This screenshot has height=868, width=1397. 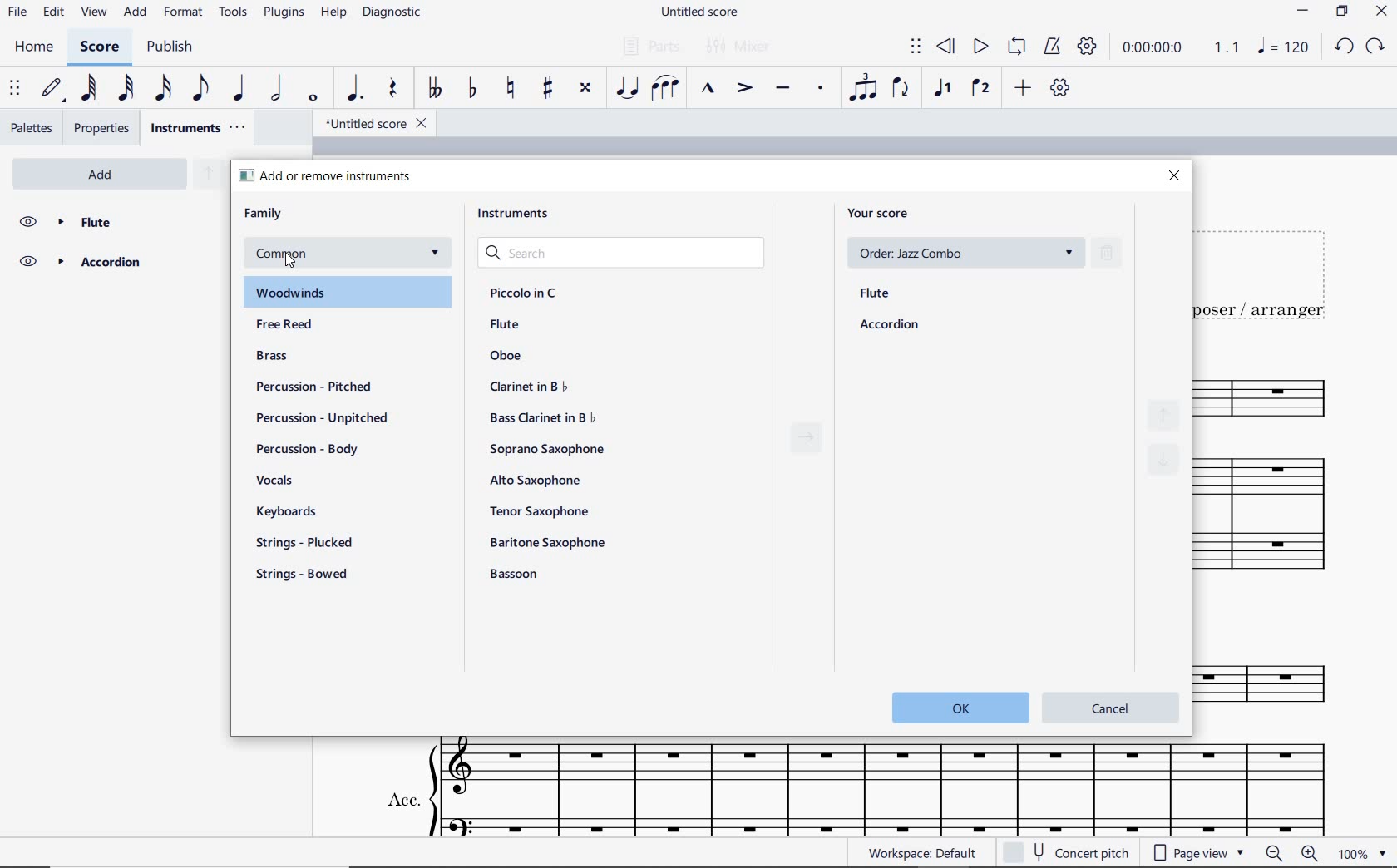 I want to click on UNDO, so click(x=1344, y=46).